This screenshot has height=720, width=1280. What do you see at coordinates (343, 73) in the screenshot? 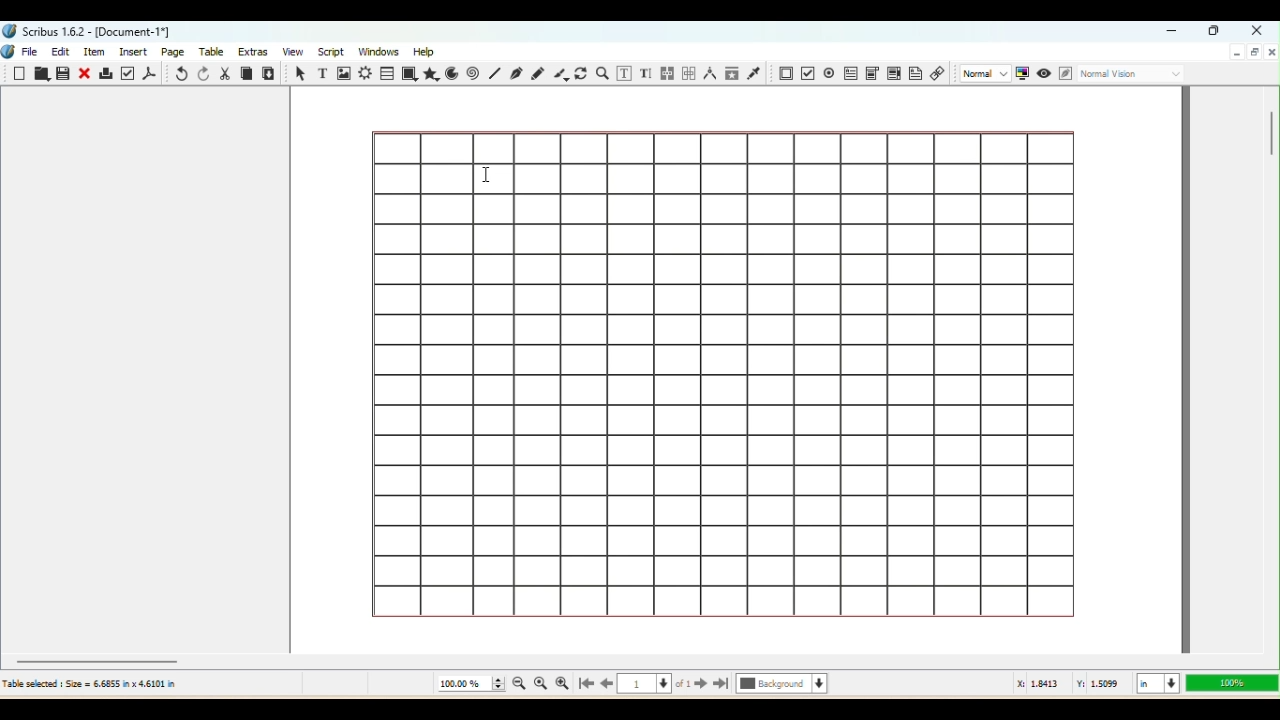
I see `Image frame` at bounding box center [343, 73].